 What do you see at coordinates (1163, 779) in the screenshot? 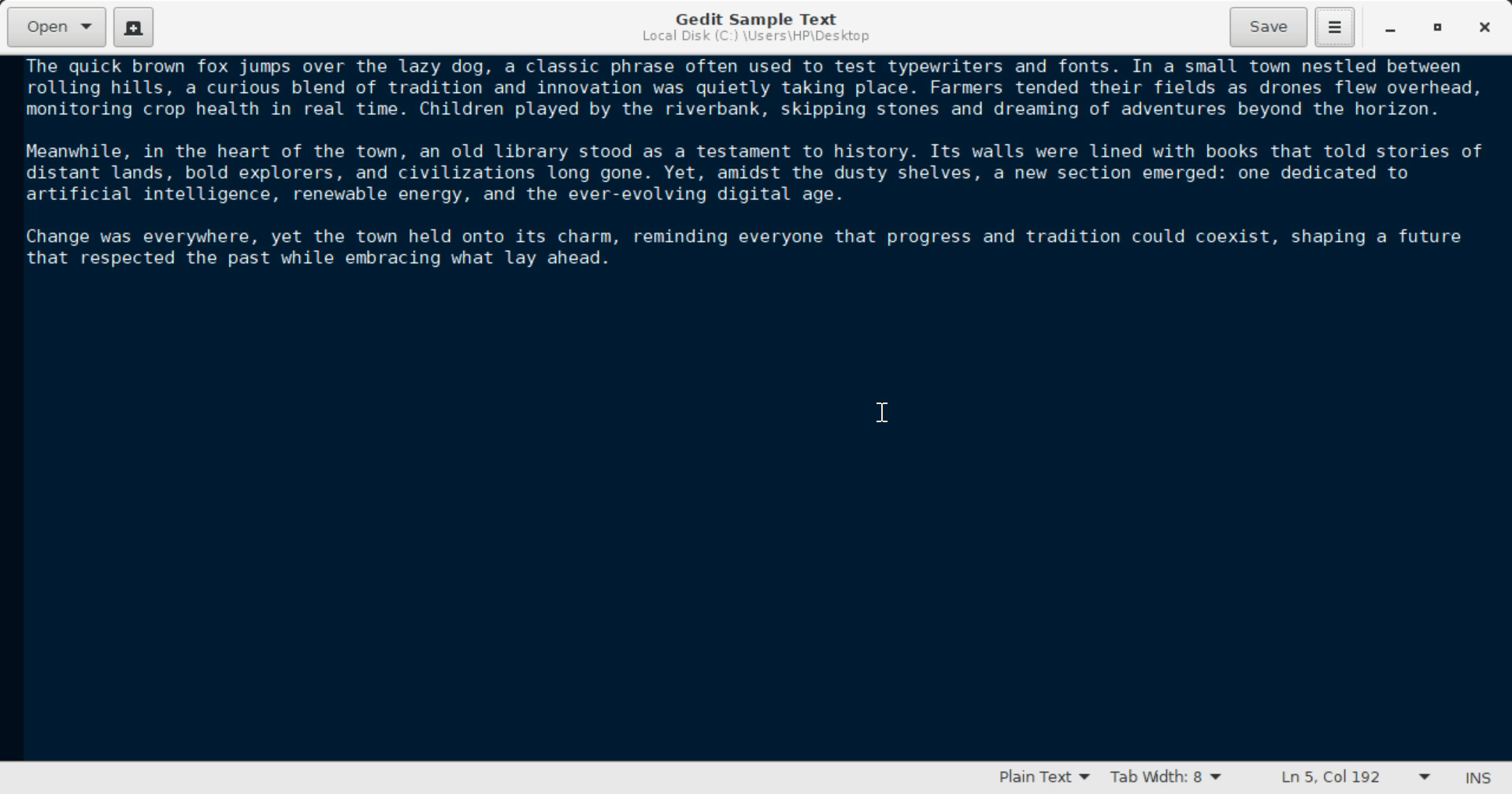
I see `Tab Width 8` at bounding box center [1163, 779].